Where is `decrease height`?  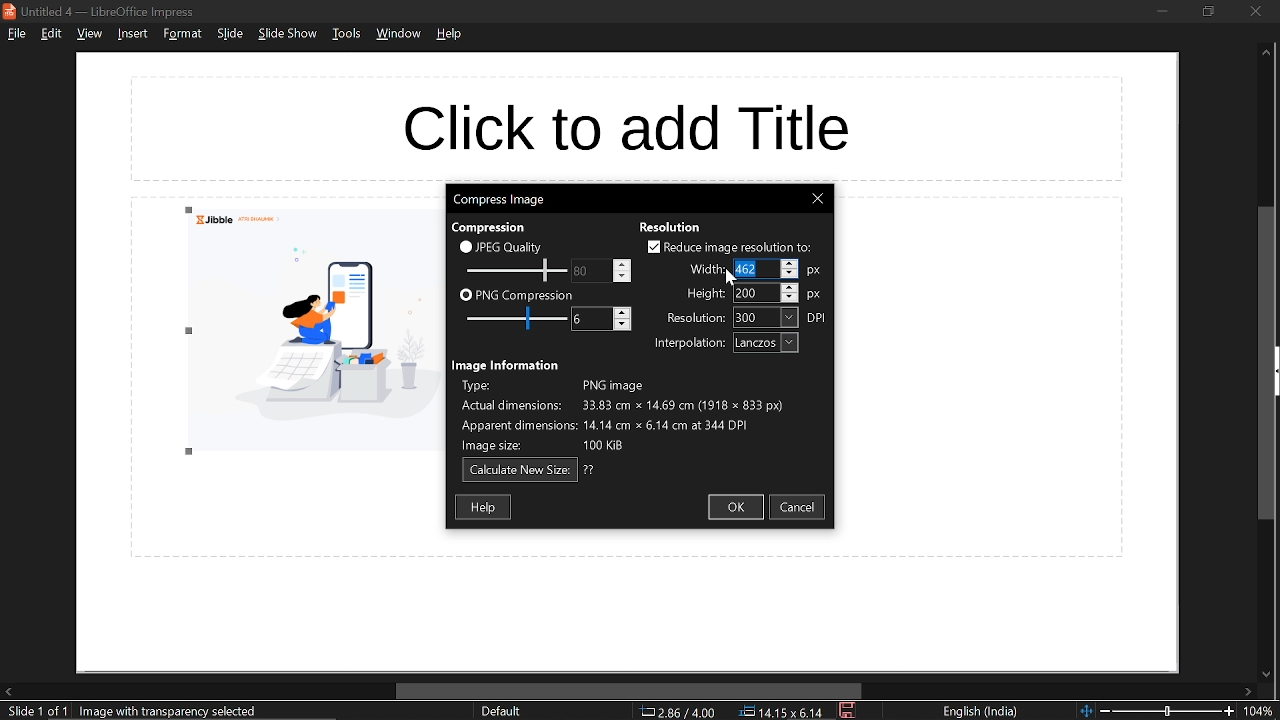 decrease height is located at coordinates (790, 297).